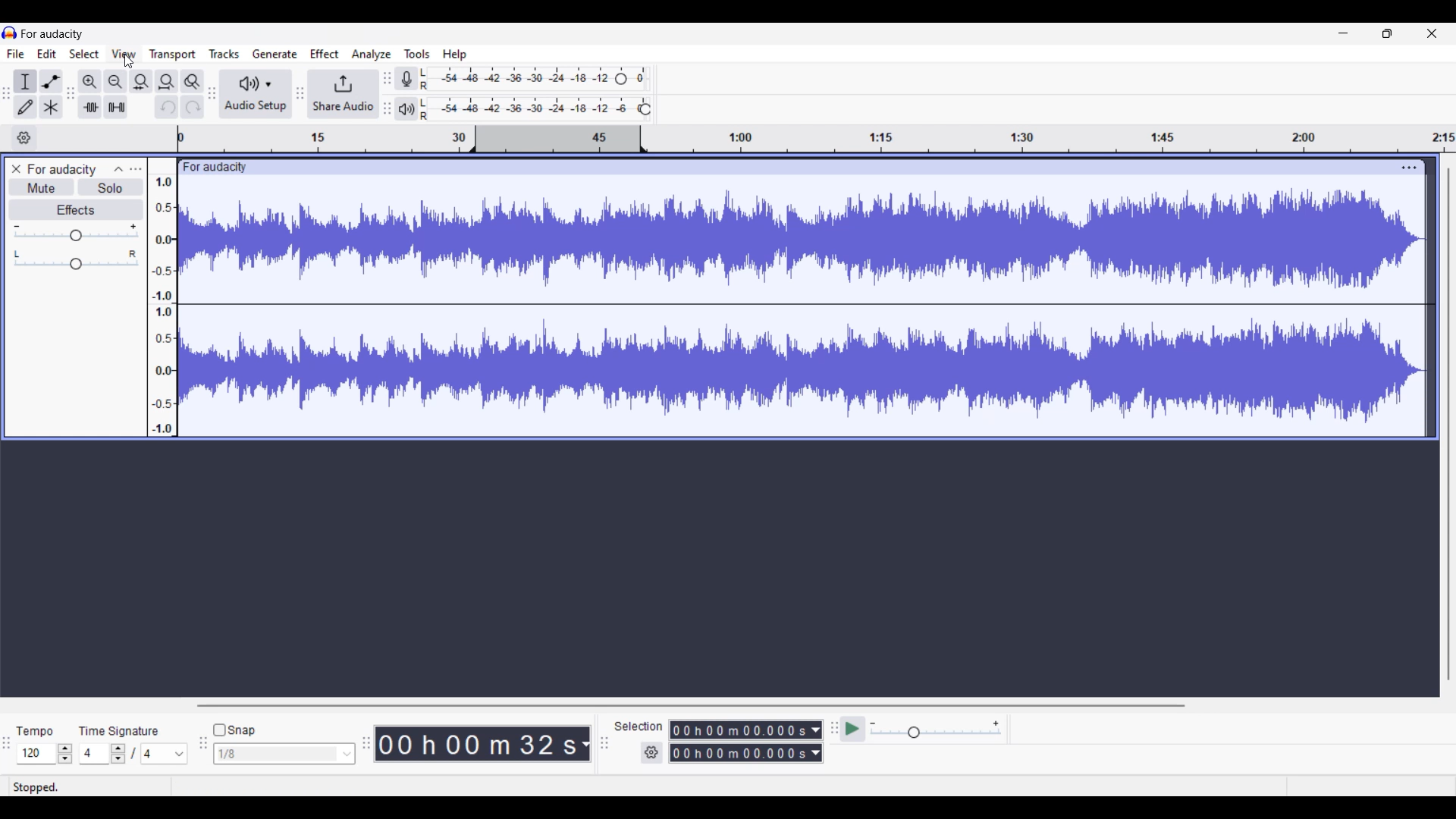 The height and width of the screenshot is (819, 1456). I want to click on Horizontal slide bar, so click(688, 705).